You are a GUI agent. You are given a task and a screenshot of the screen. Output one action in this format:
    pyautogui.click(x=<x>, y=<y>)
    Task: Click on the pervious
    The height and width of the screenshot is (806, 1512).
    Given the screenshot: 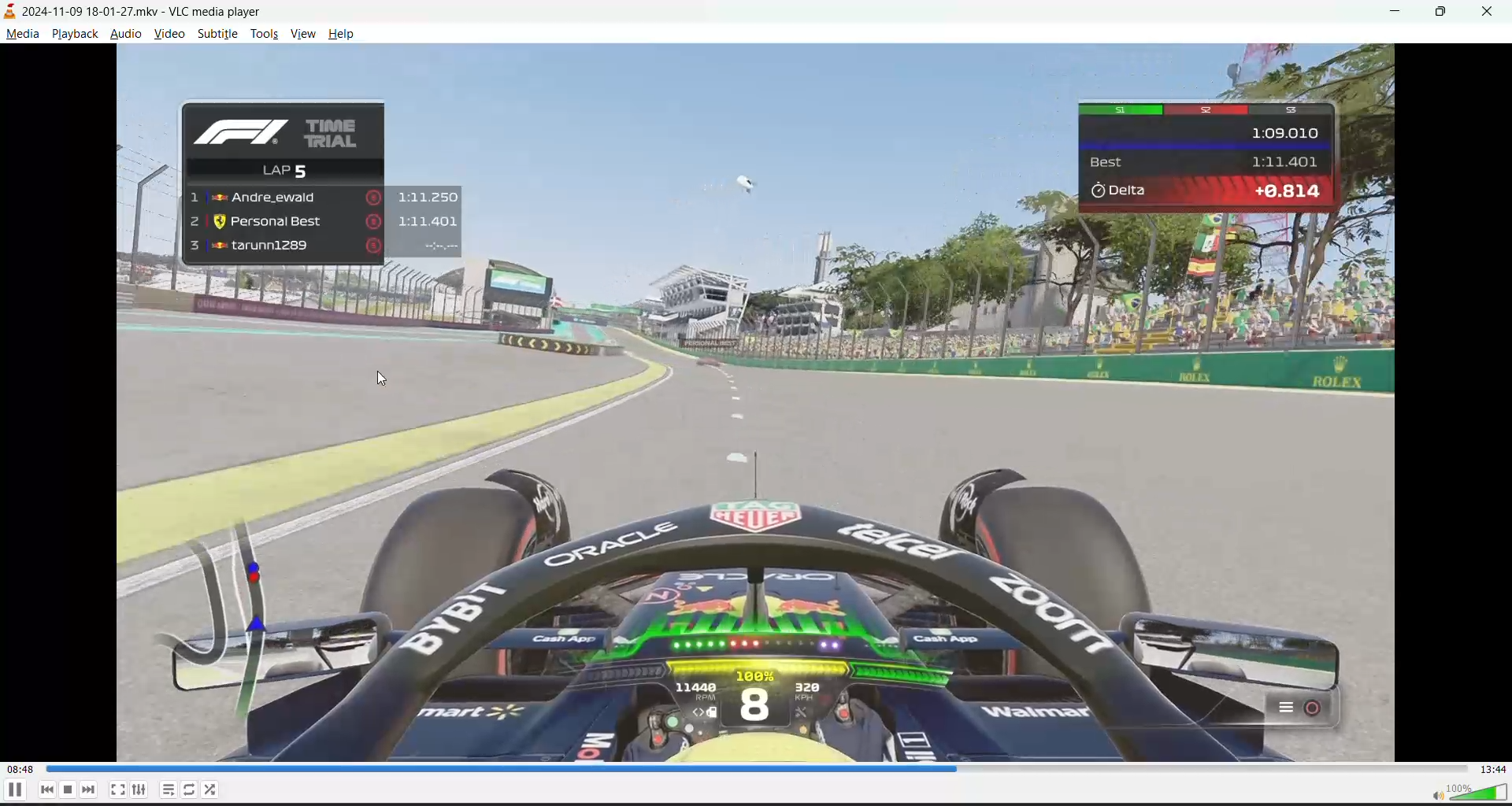 What is the action you would take?
    pyautogui.click(x=46, y=789)
    